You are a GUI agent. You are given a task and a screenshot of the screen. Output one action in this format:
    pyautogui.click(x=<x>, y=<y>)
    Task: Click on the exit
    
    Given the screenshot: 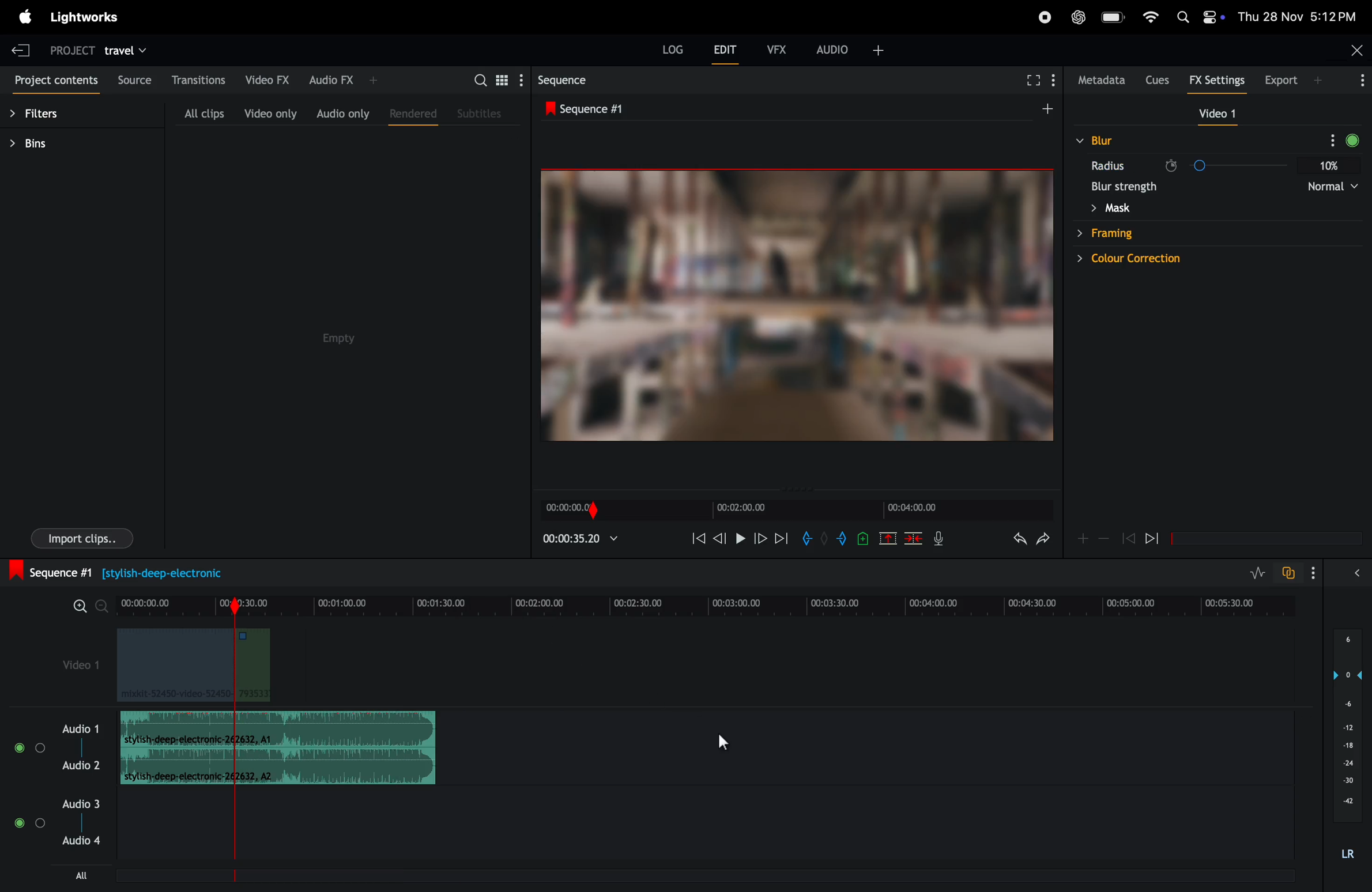 What is the action you would take?
    pyautogui.click(x=21, y=48)
    